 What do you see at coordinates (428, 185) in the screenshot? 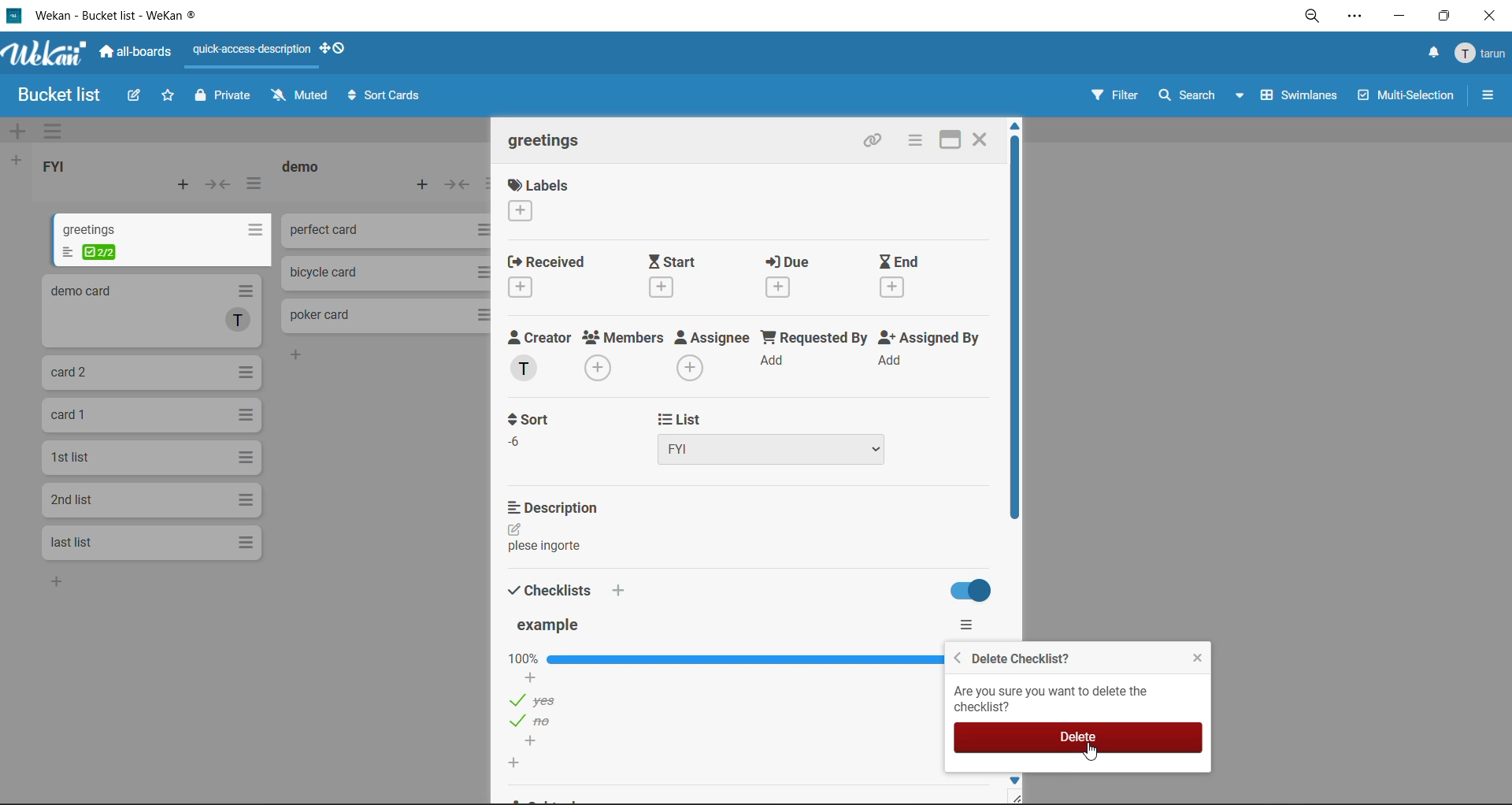
I see `add card` at bounding box center [428, 185].